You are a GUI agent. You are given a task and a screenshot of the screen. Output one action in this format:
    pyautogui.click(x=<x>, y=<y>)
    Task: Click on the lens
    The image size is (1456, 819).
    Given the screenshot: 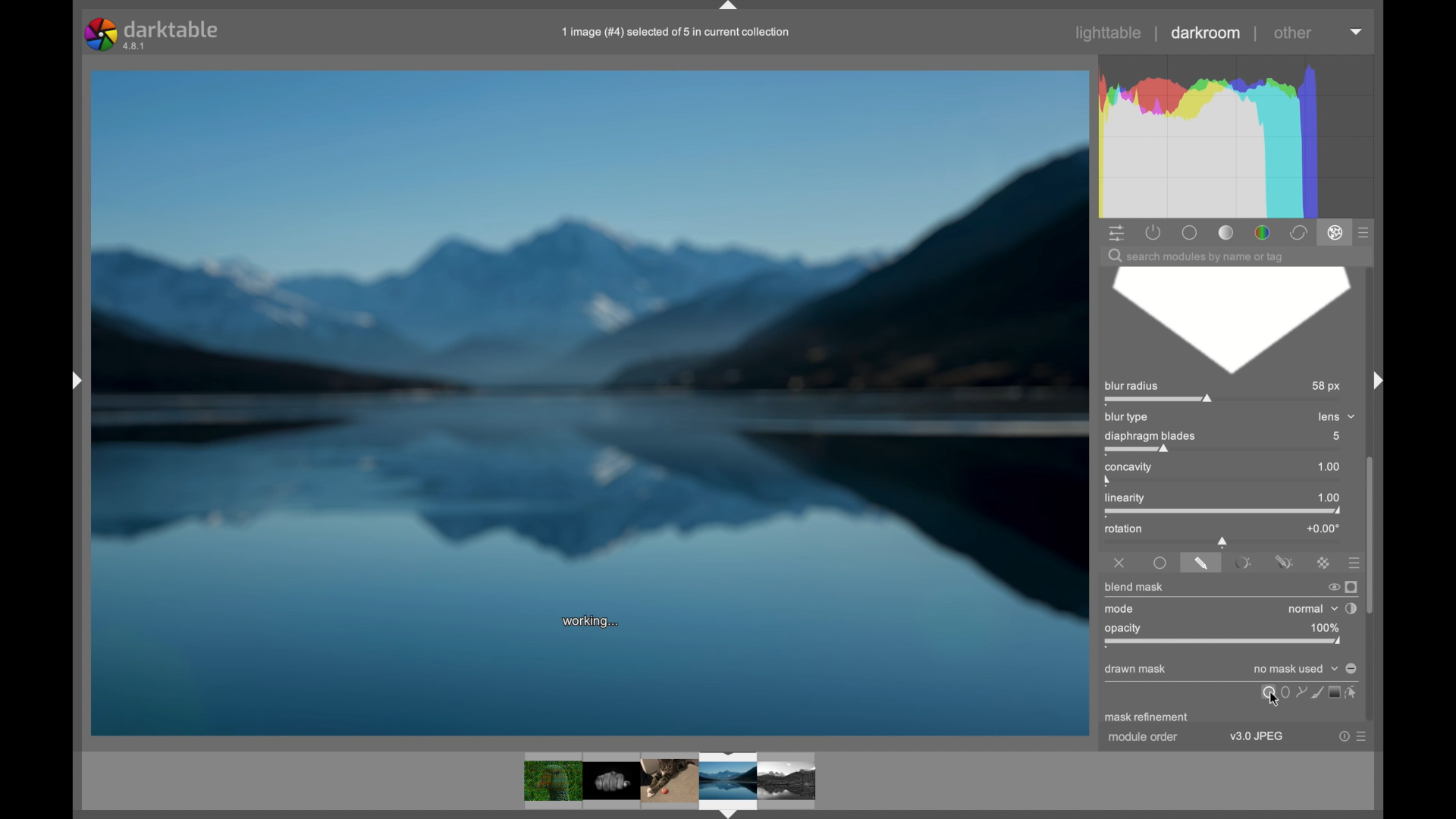 What is the action you would take?
    pyautogui.click(x=1335, y=416)
    